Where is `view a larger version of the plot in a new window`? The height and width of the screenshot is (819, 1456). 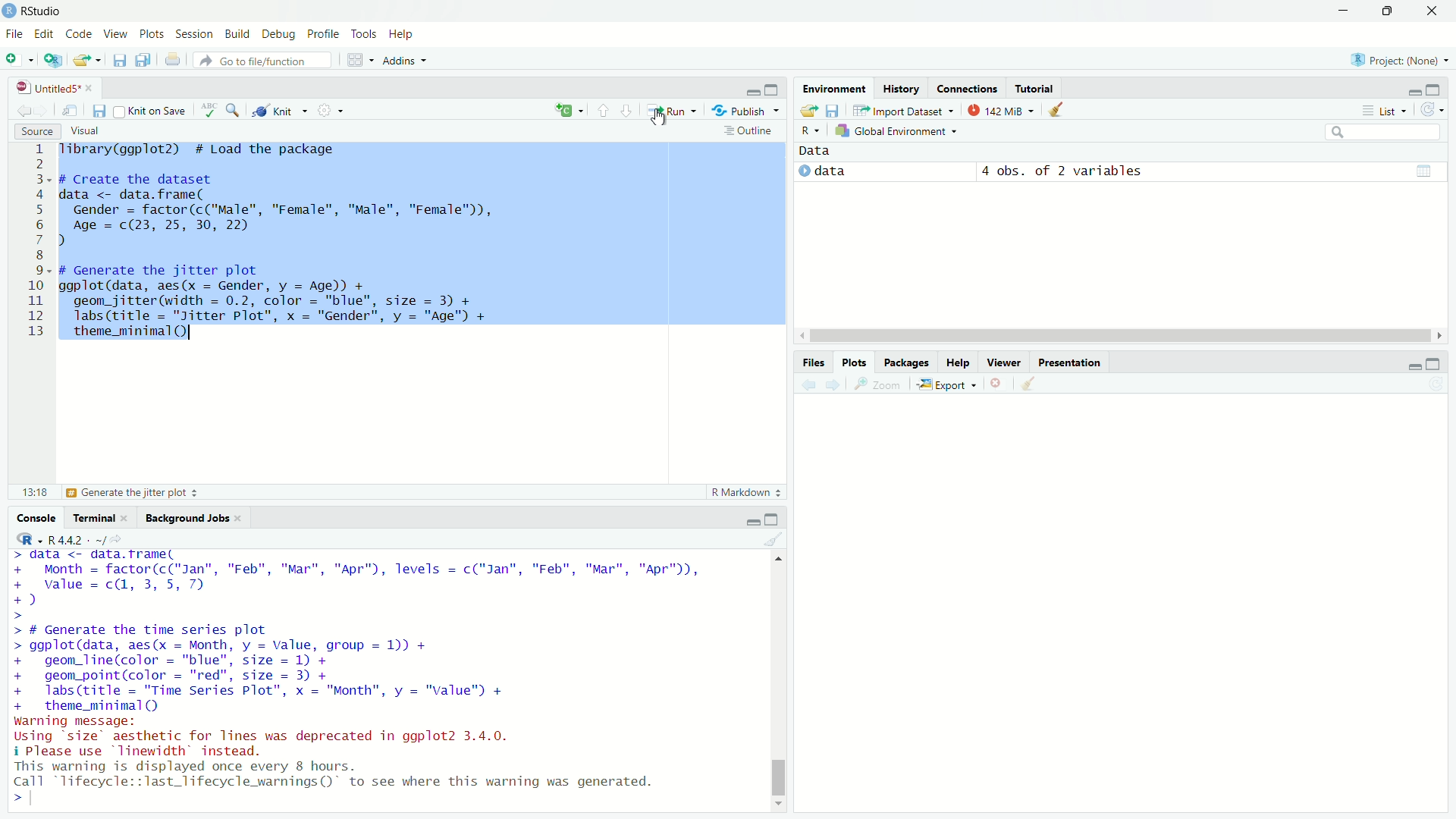 view a larger version of the plot in a new window is located at coordinates (883, 385).